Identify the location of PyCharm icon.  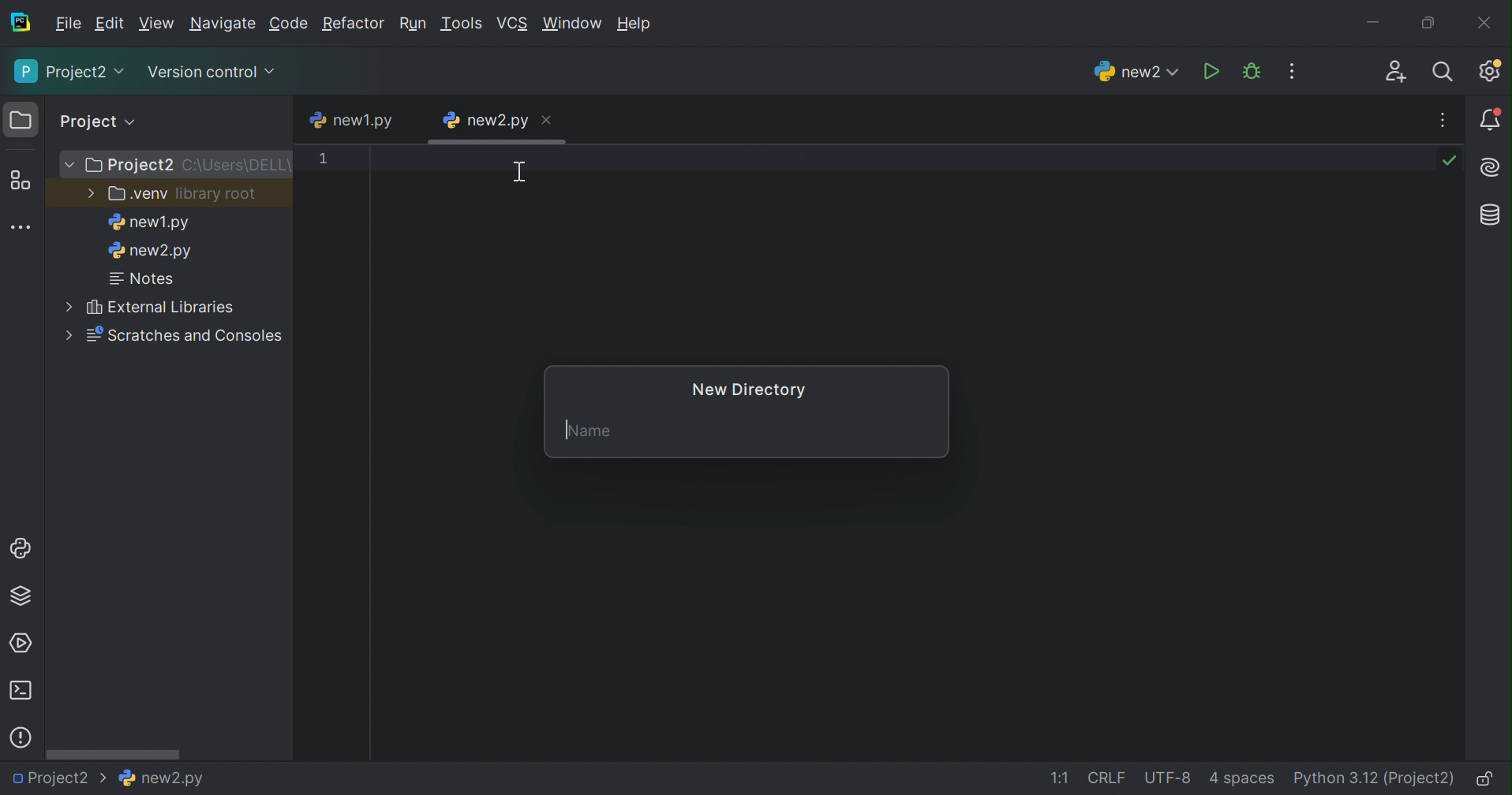
(20, 22).